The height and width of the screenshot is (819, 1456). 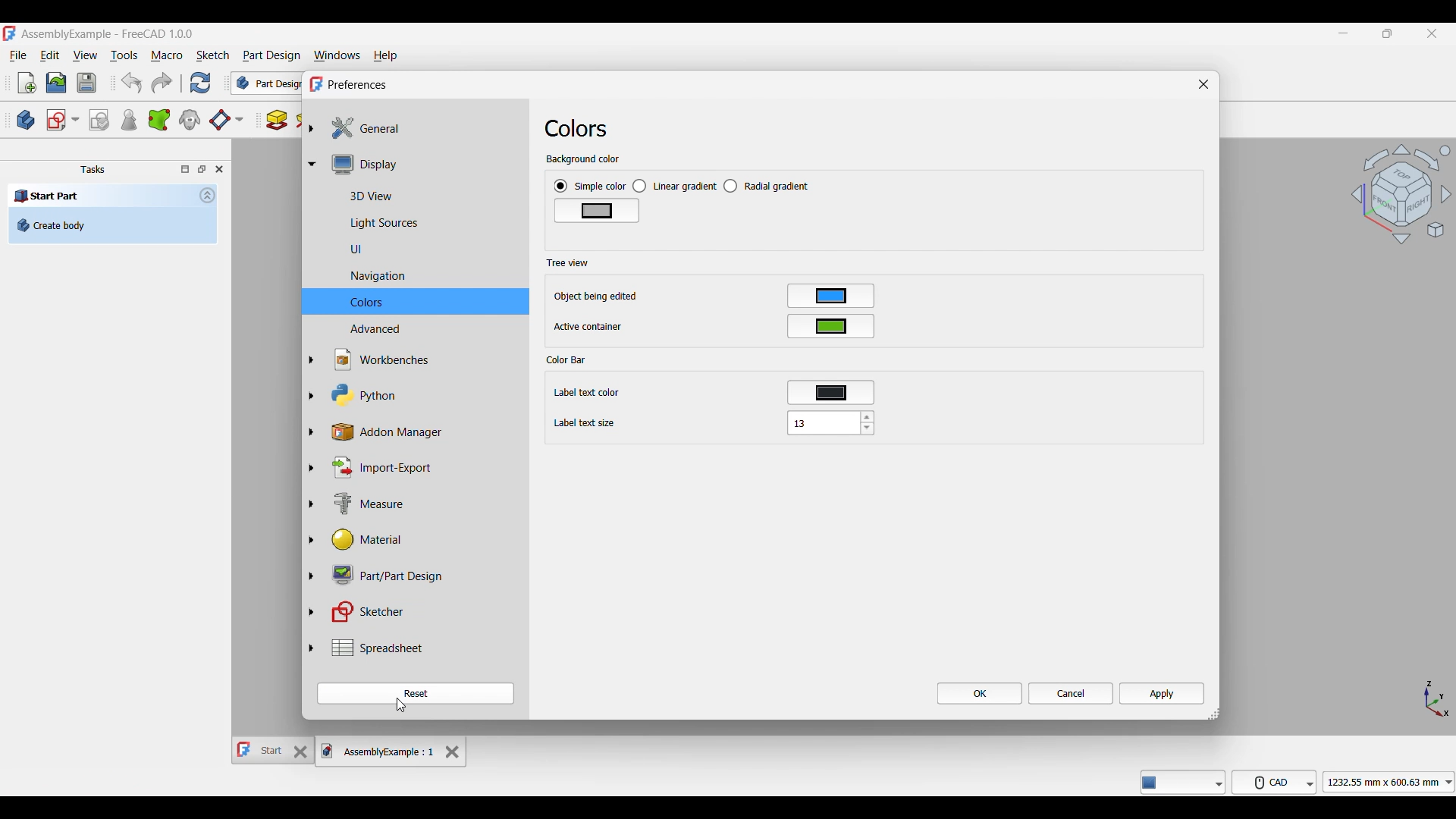 I want to click on AssemblyExample - FreeCAD 1.0.0, so click(x=108, y=34).